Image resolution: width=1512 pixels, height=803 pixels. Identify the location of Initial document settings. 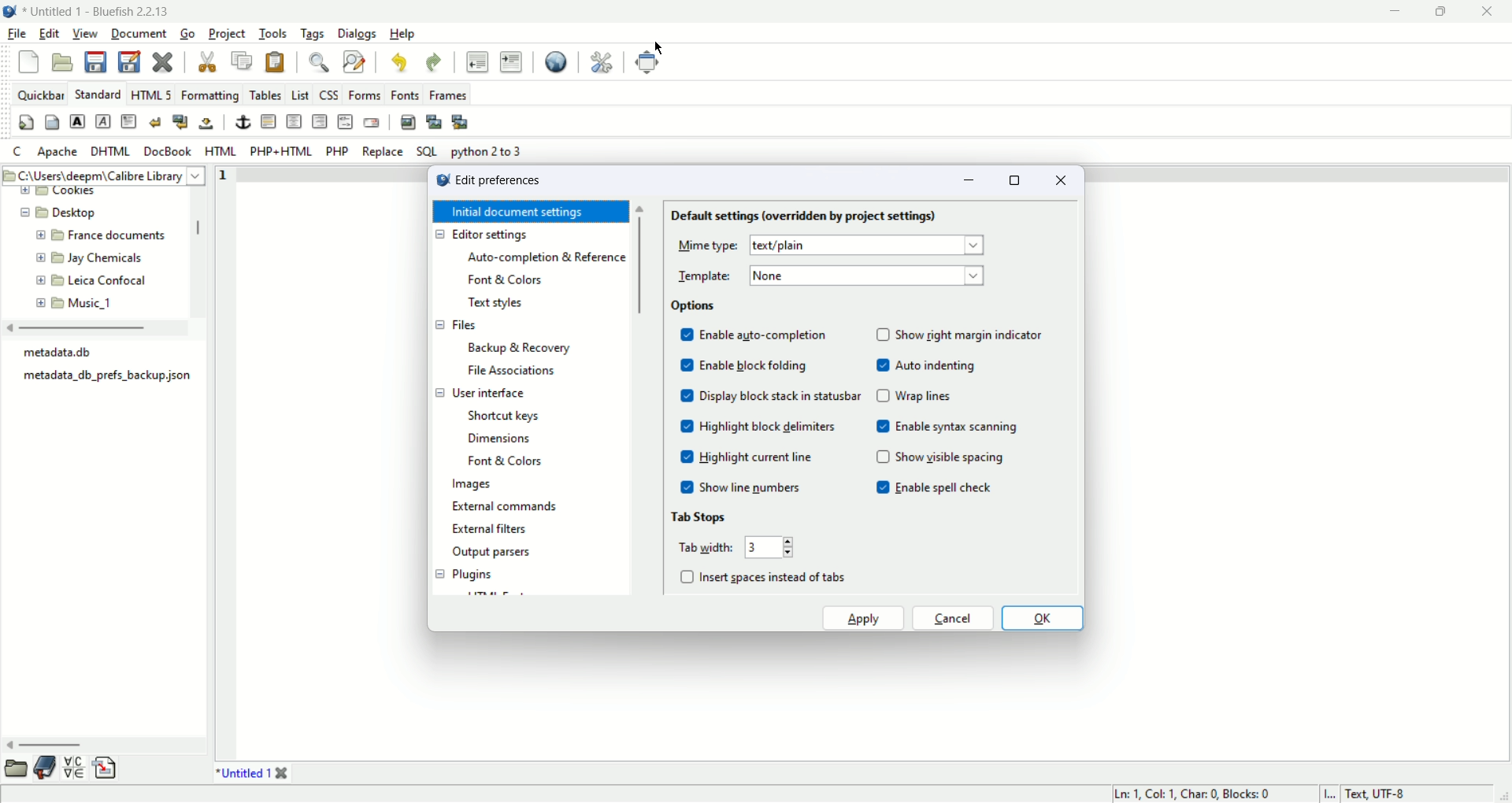
(518, 213).